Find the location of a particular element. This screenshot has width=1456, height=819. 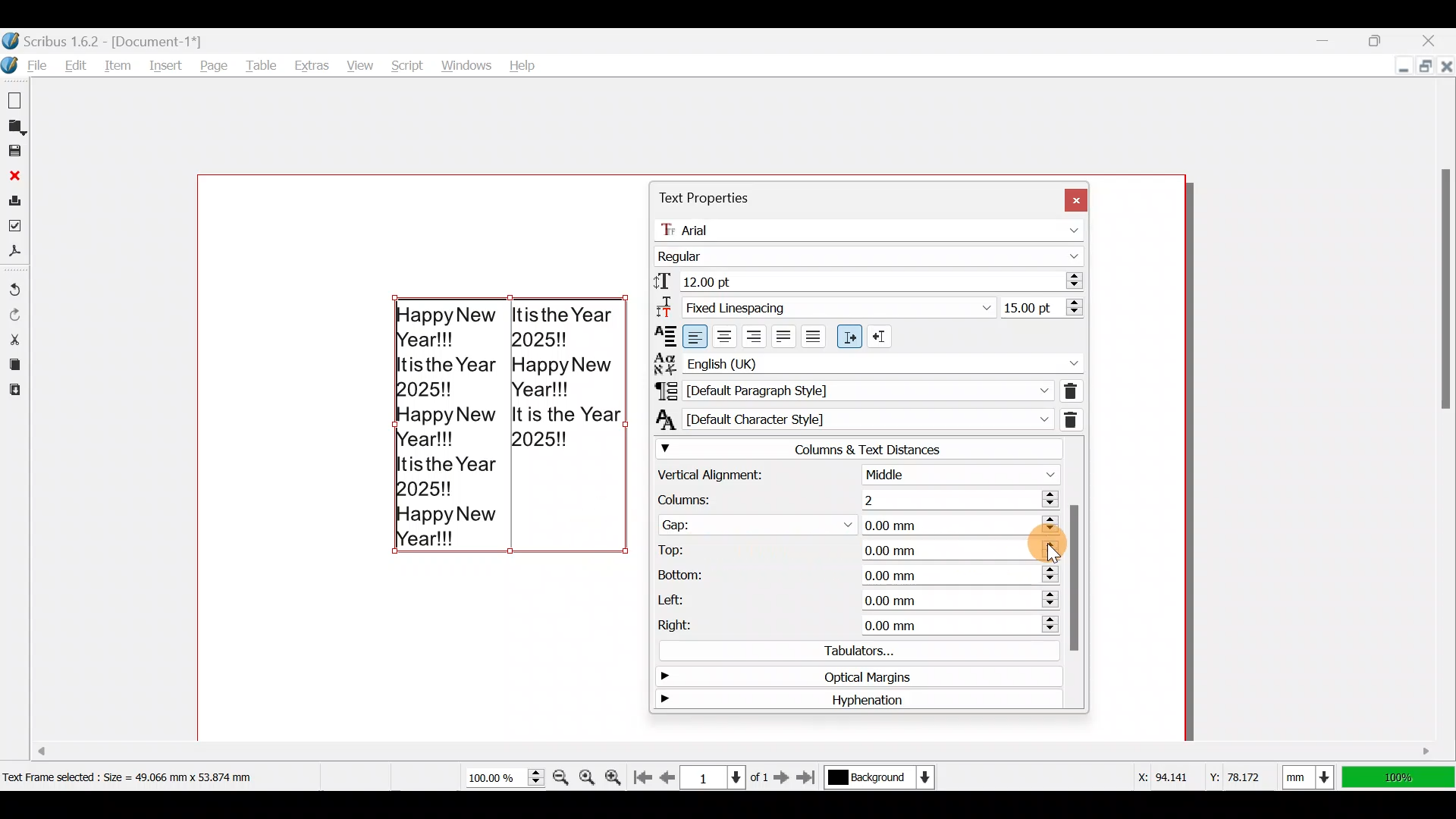

Align text left is located at coordinates (696, 335).